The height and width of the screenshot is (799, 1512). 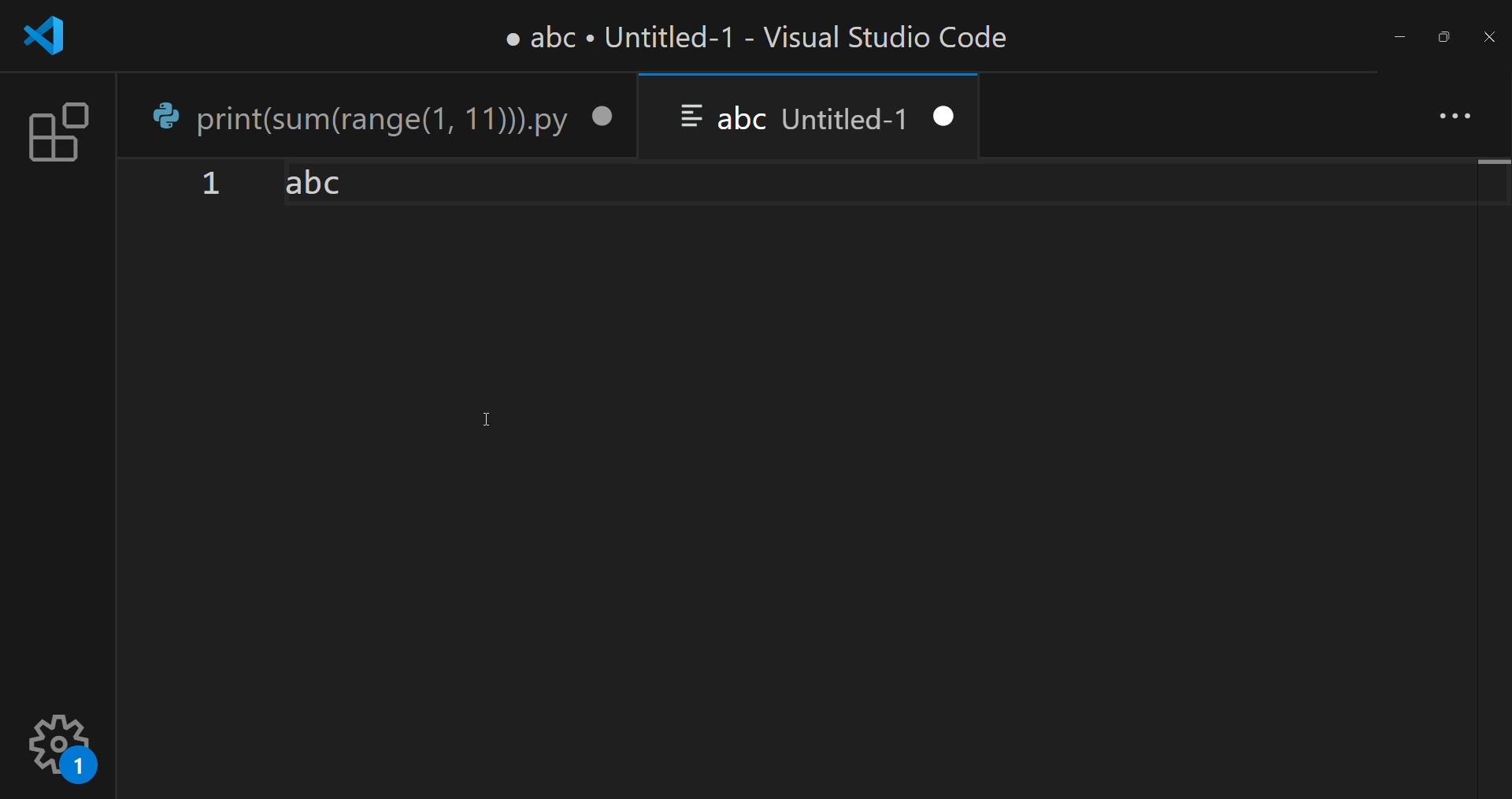 What do you see at coordinates (1442, 36) in the screenshot?
I see `maximize` at bounding box center [1442, 36].